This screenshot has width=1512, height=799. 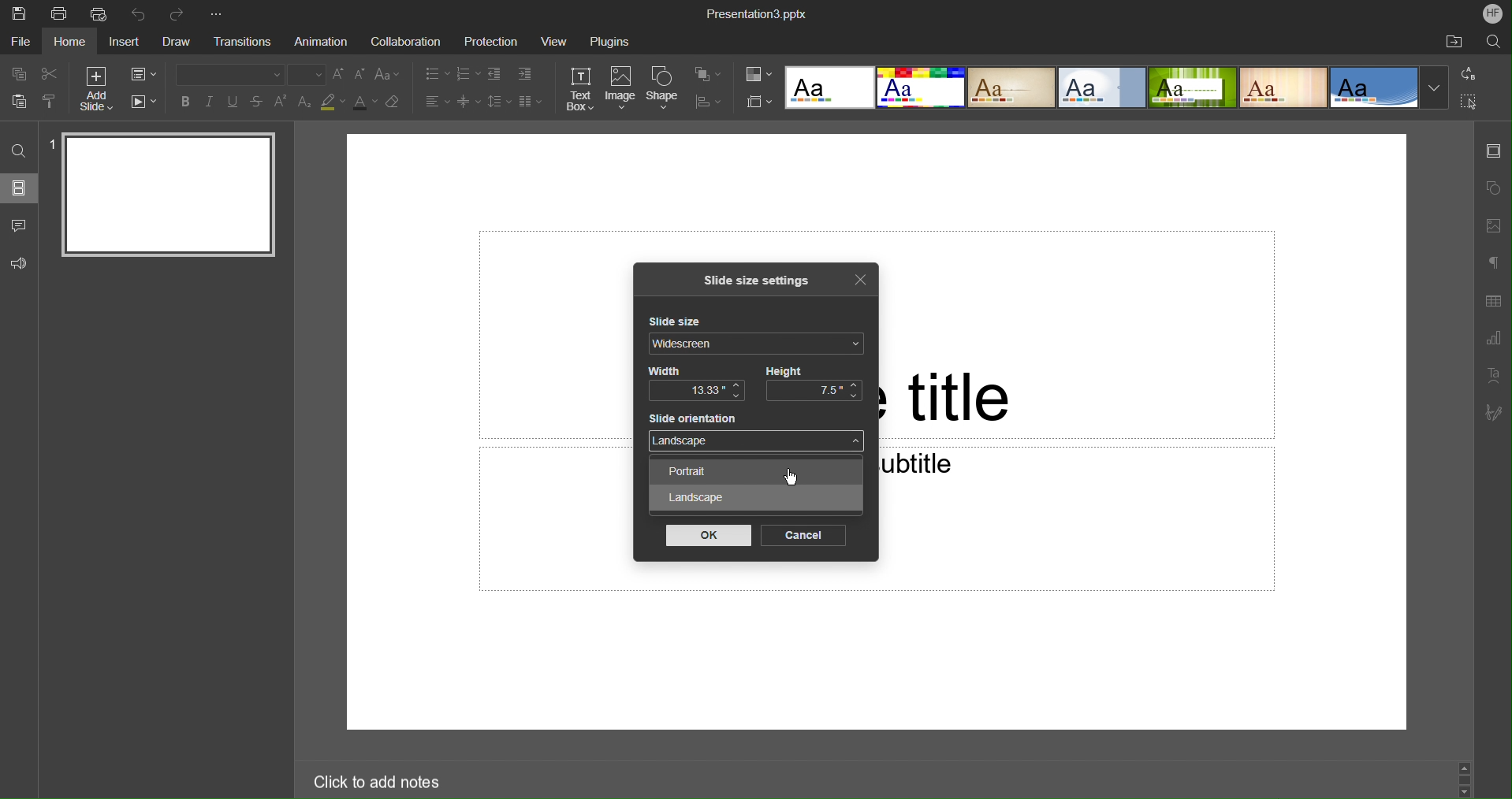 What do you see at coordinates (1493, 301) in the screenshot?
I see `Table` at bounding box center [1493, 301].